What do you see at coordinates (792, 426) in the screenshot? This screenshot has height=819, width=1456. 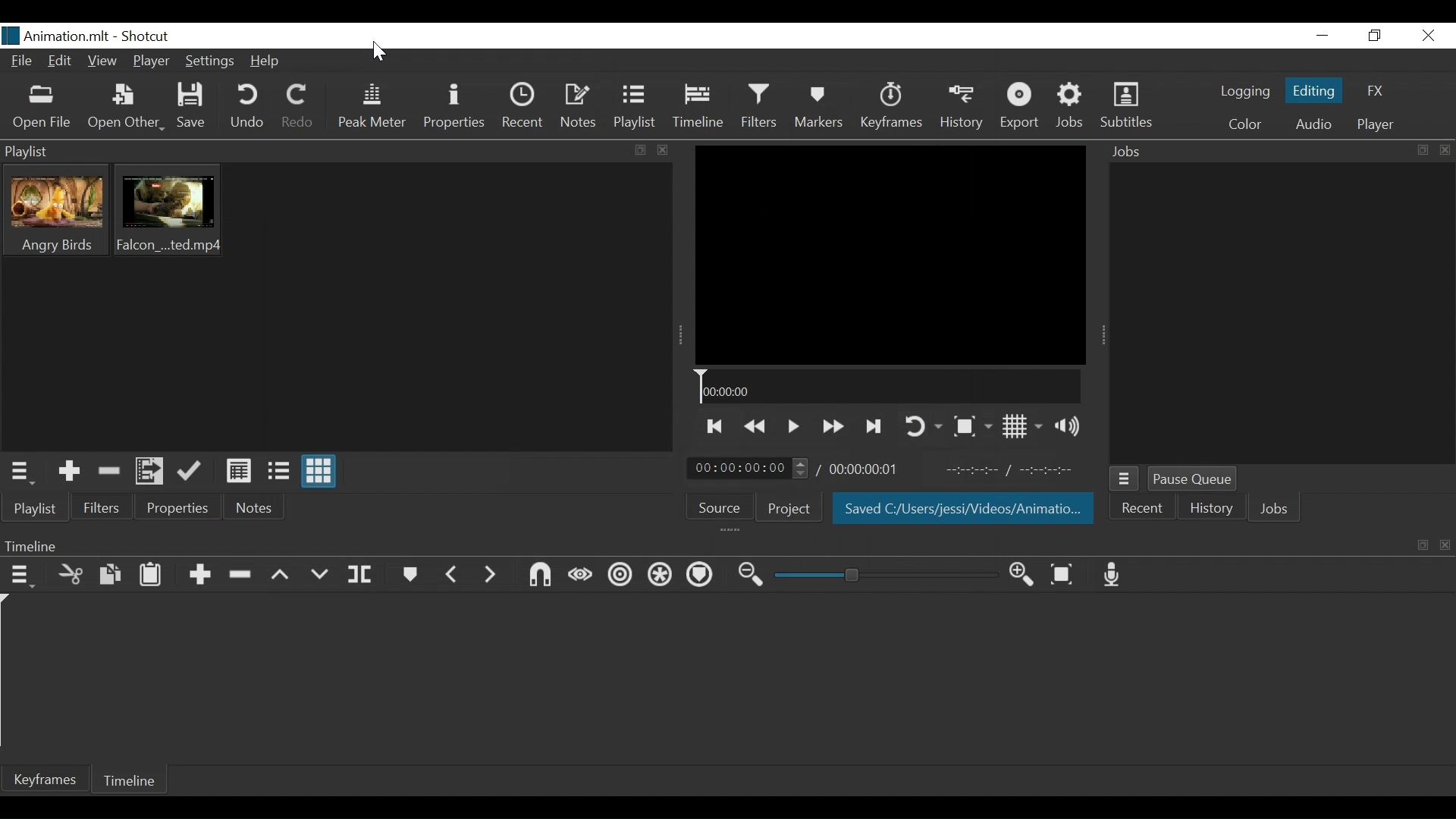 I see `Toggle Play or pause (space)` at bounding box center [792, 426].